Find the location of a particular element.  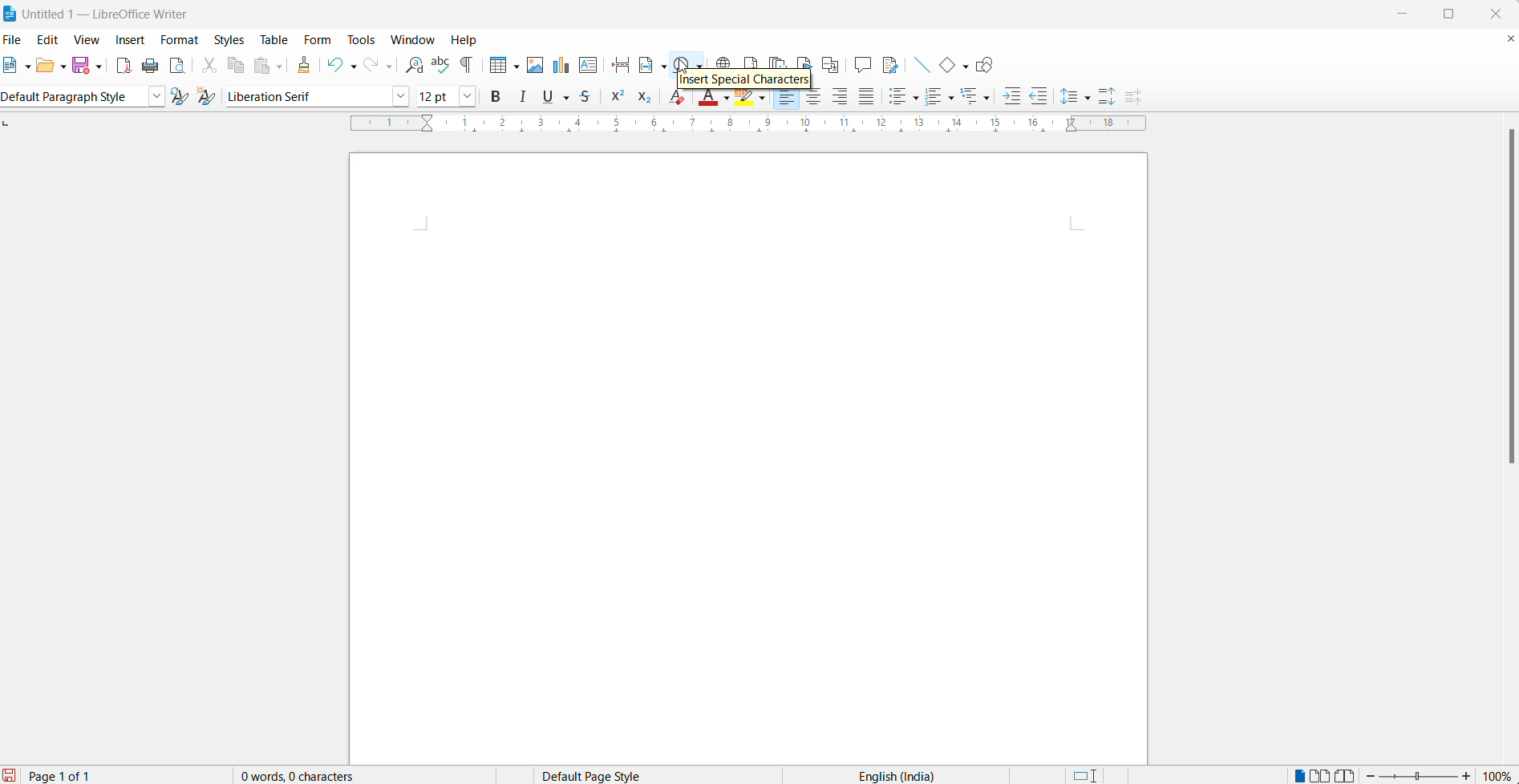

scaling is located at coordinates (735, 130).